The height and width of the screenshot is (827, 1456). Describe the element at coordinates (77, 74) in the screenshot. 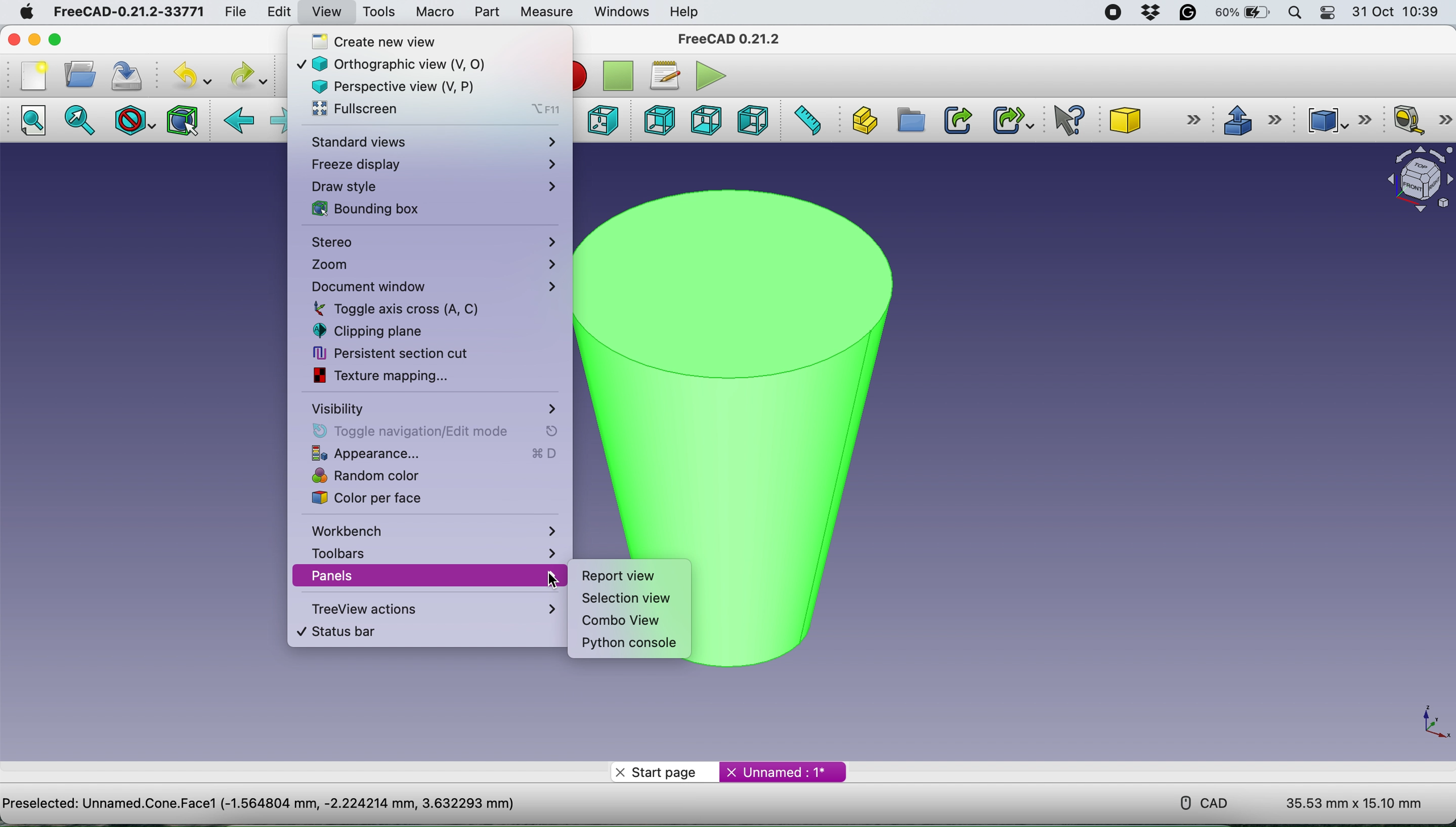

I see `open` at that location.